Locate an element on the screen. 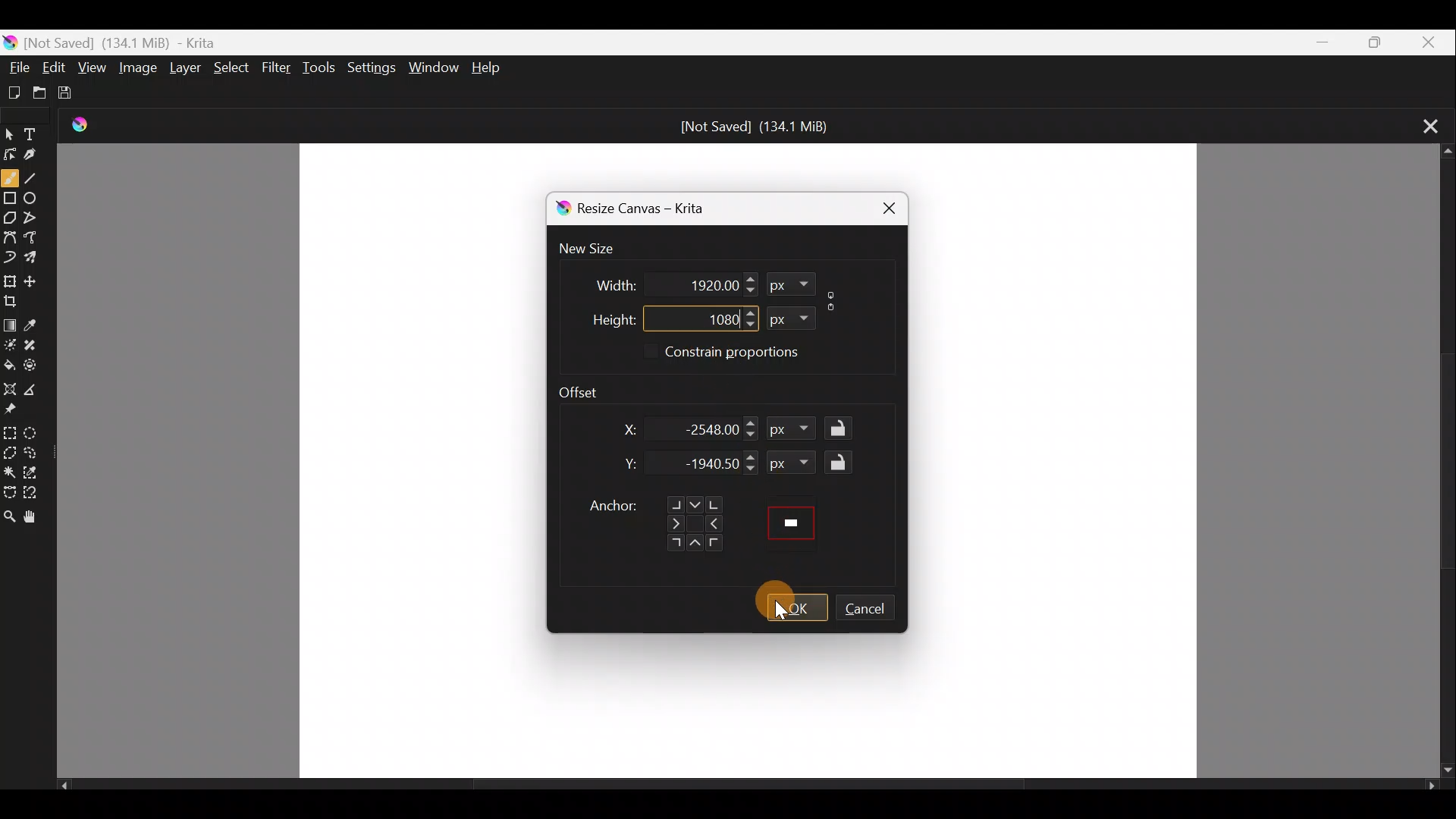  Colourise mask tool is located at coordinates (12, 342).